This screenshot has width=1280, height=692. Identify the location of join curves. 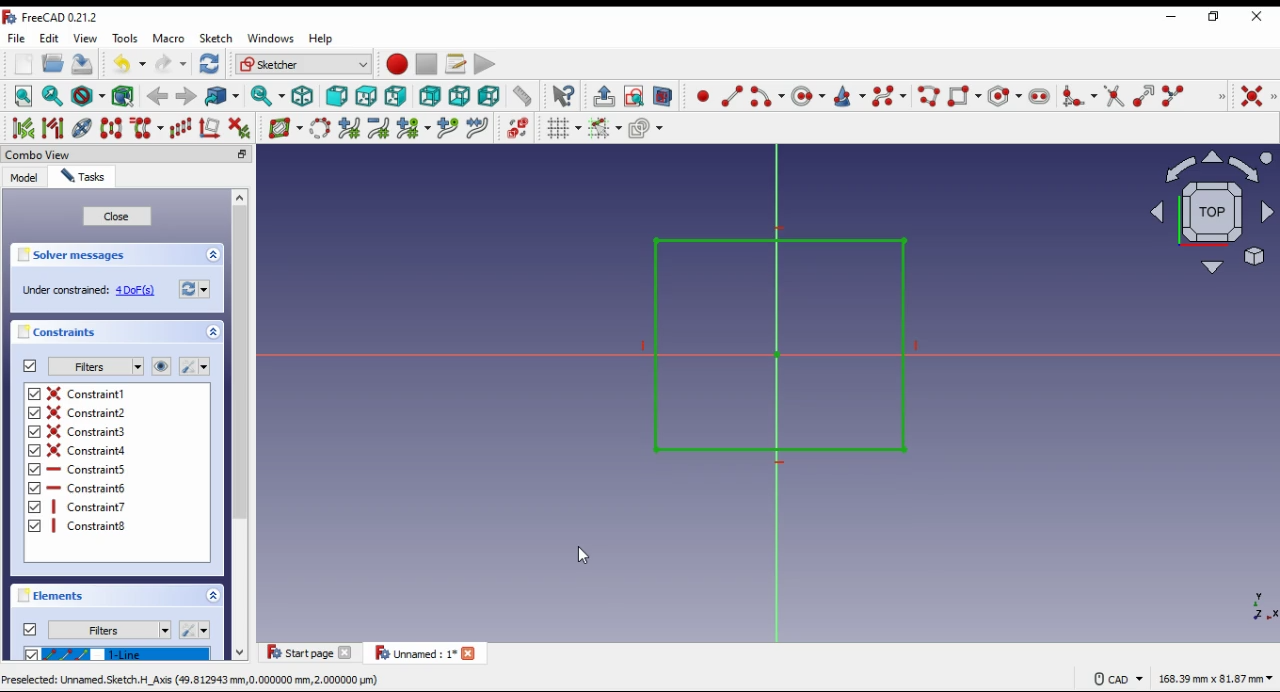
(477, 128).